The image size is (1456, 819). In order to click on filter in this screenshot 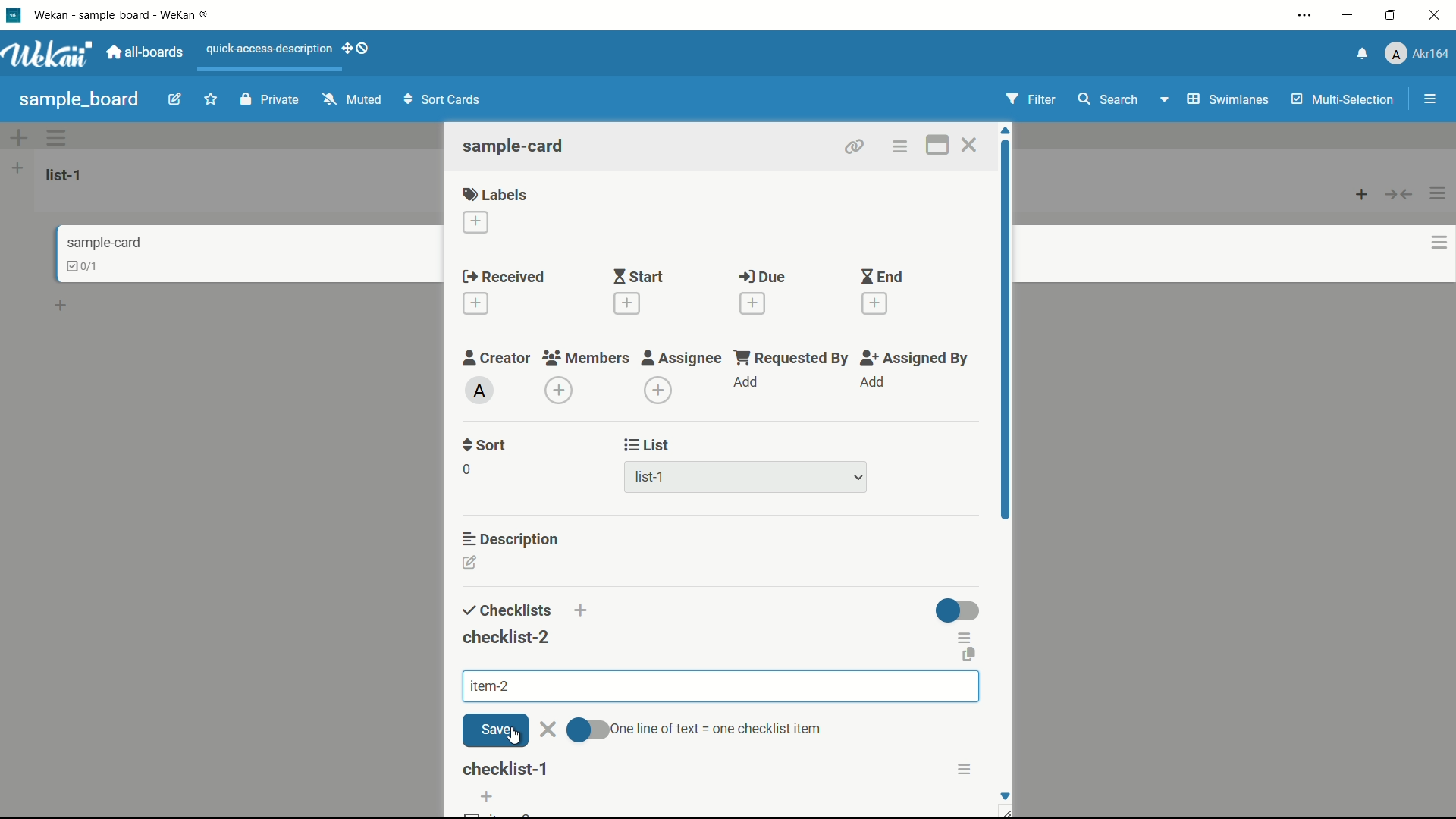, I will do `click(1031, 100)`.